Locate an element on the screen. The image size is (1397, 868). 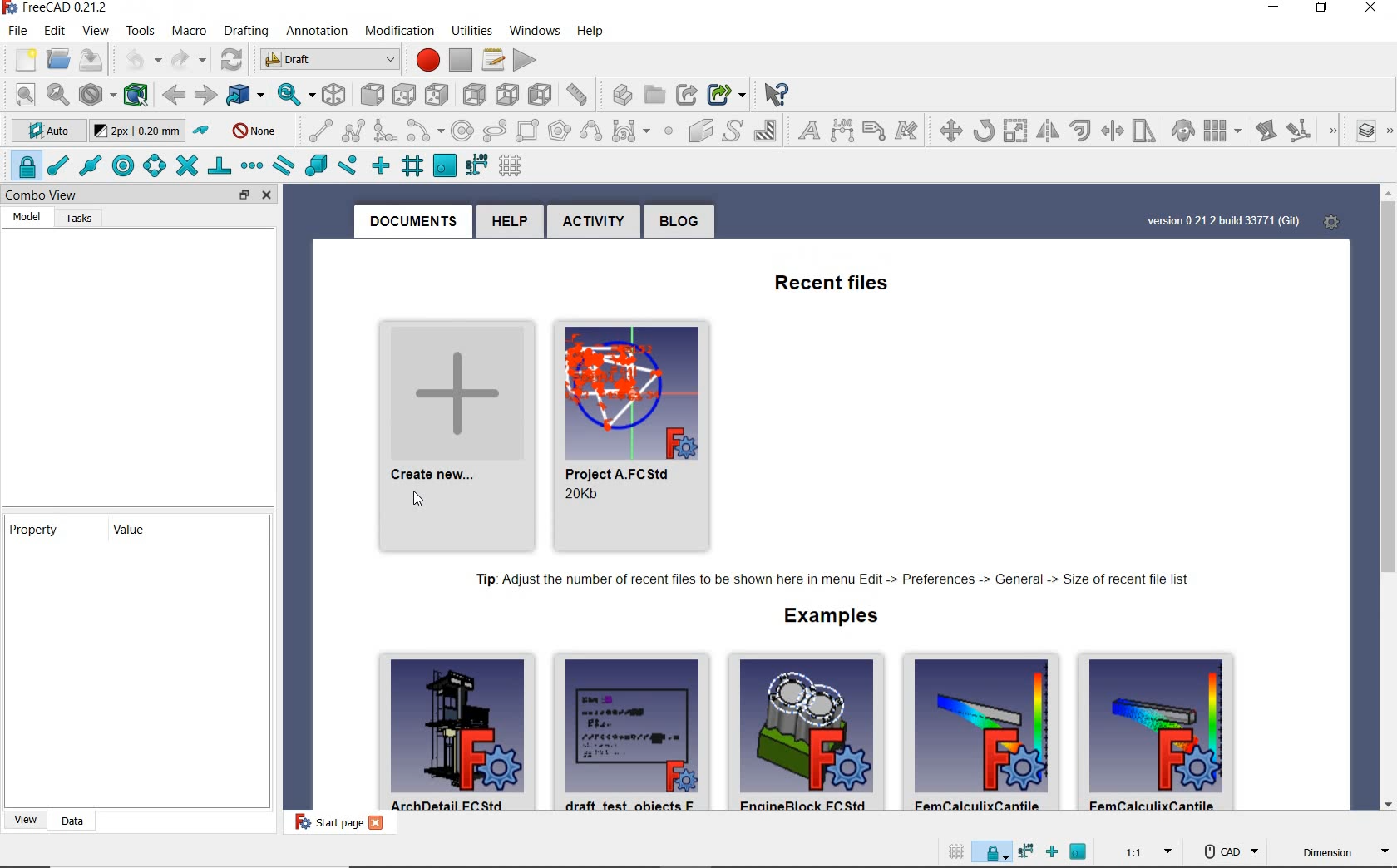
version 0.21.2 build 33771 (Git) is located at coordinates (1223, 218).